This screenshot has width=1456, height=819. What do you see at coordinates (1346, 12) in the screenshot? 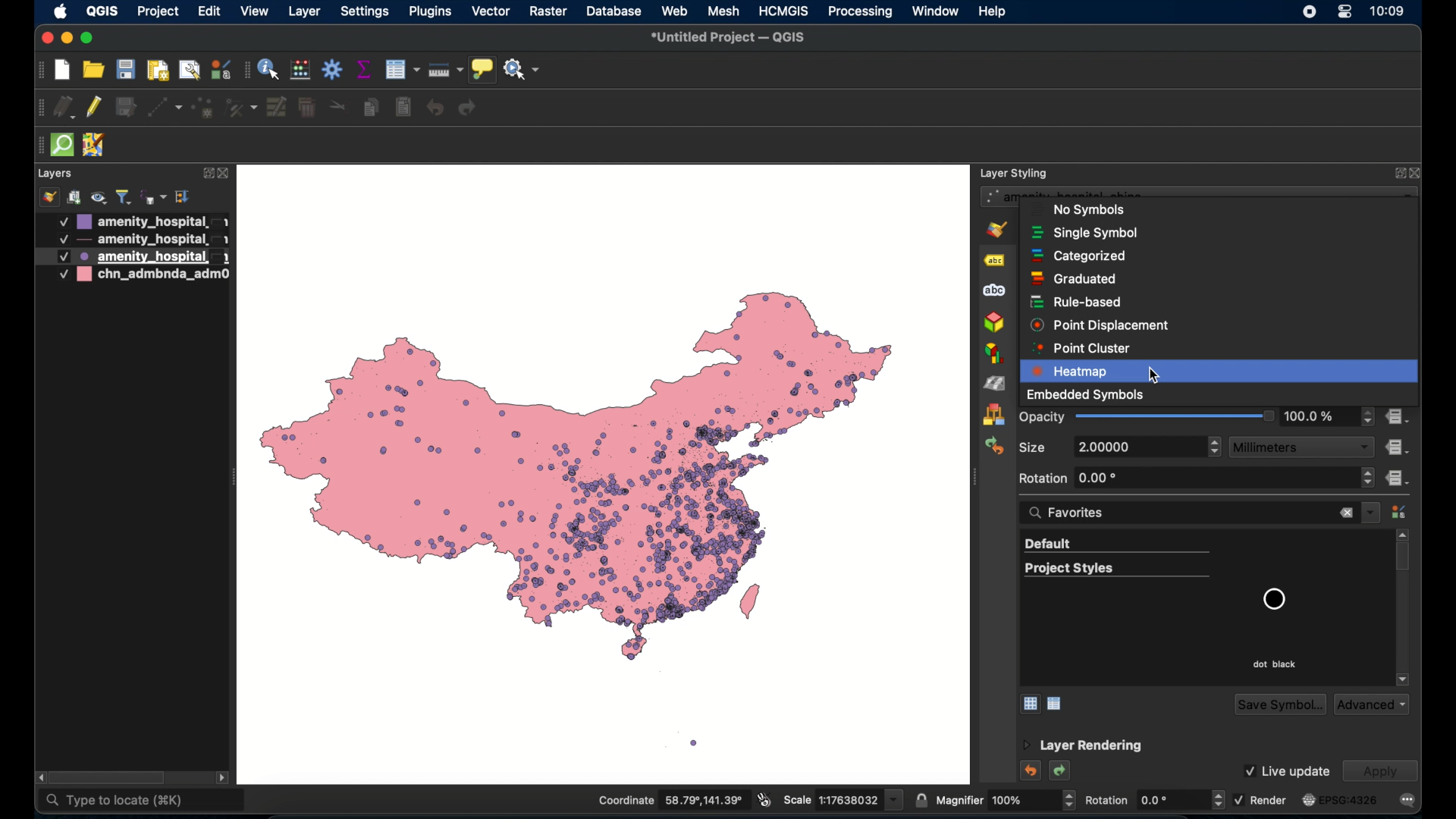
I see `control center` at bounding box center [1346, 12].